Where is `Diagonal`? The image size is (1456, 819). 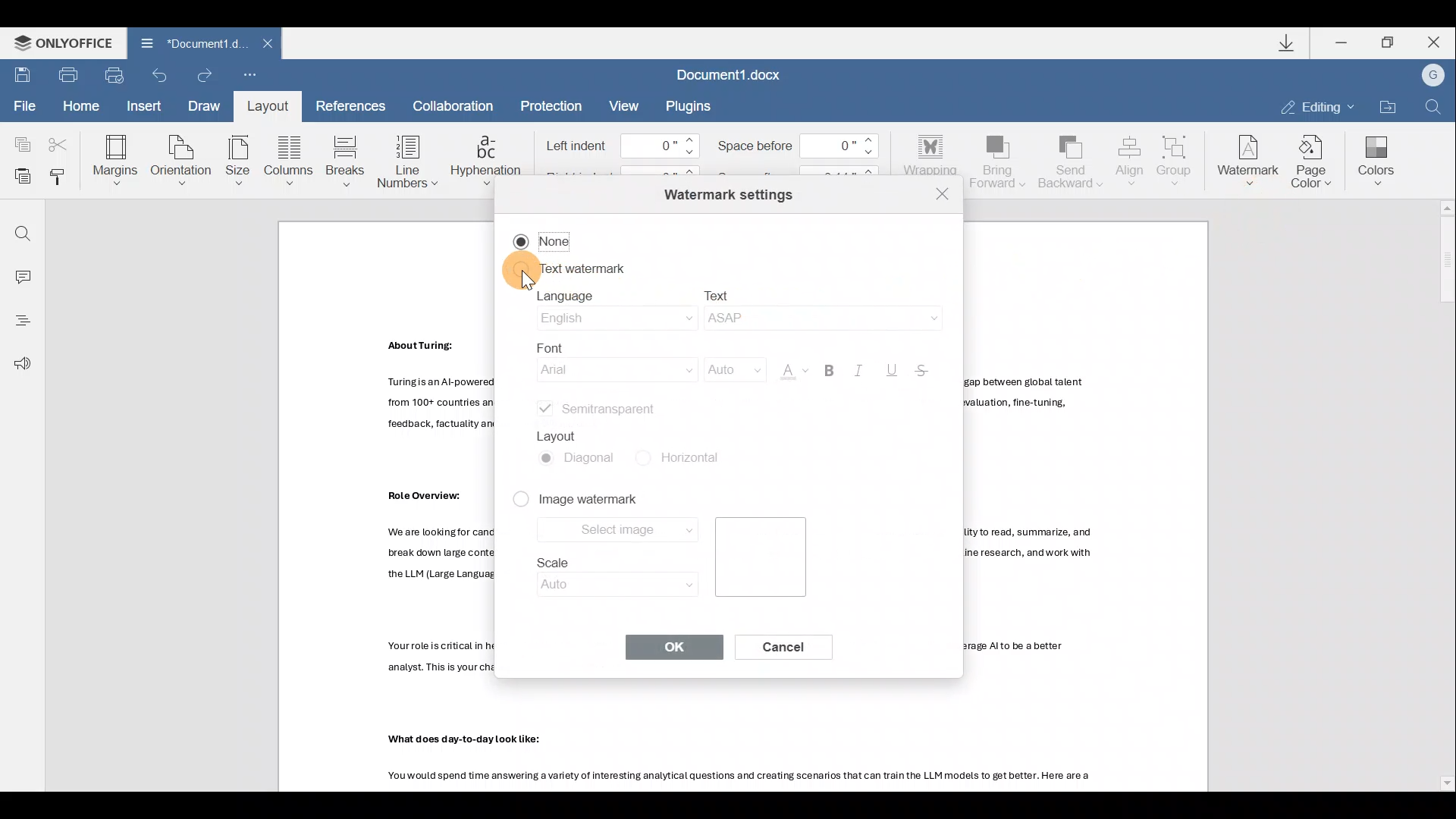
Diagonal is located at coordinates (579, 463).